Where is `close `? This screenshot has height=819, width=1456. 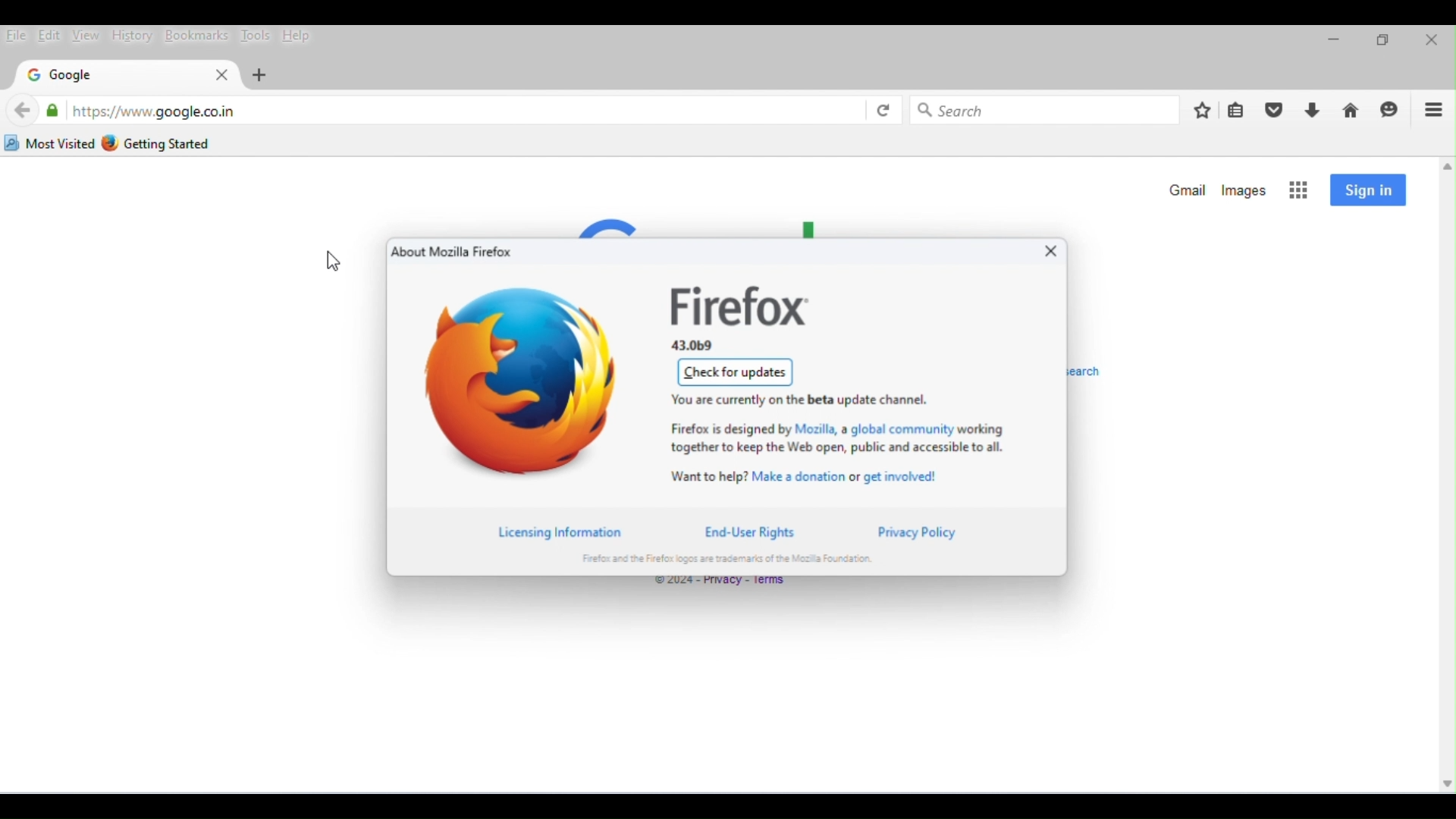 close  is located at coordinates (218, 75).